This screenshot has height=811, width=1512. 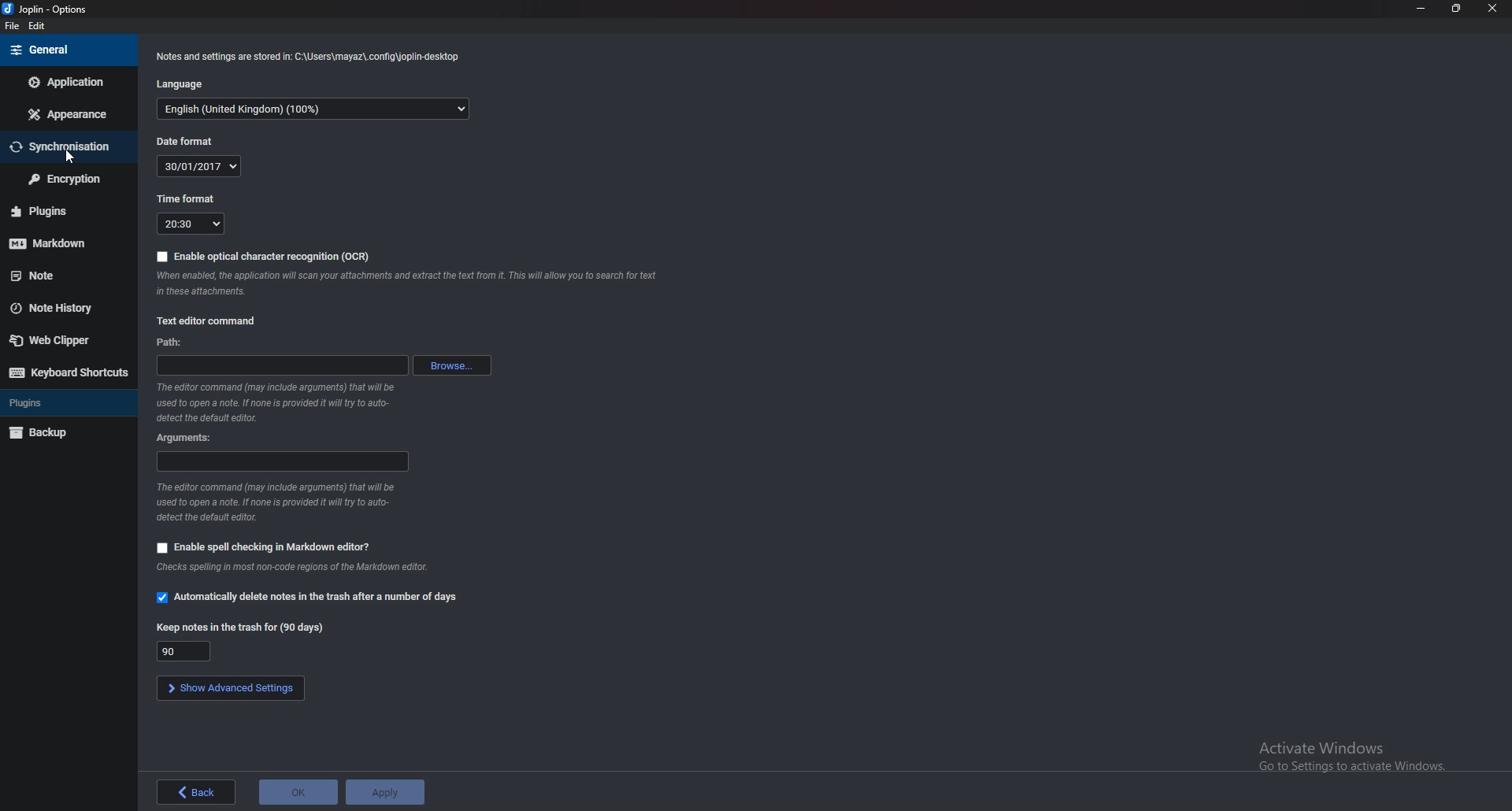 What do you see at coordinates (184, 84) in the screenshot?
I see `language` at bounding box center [184, 84].